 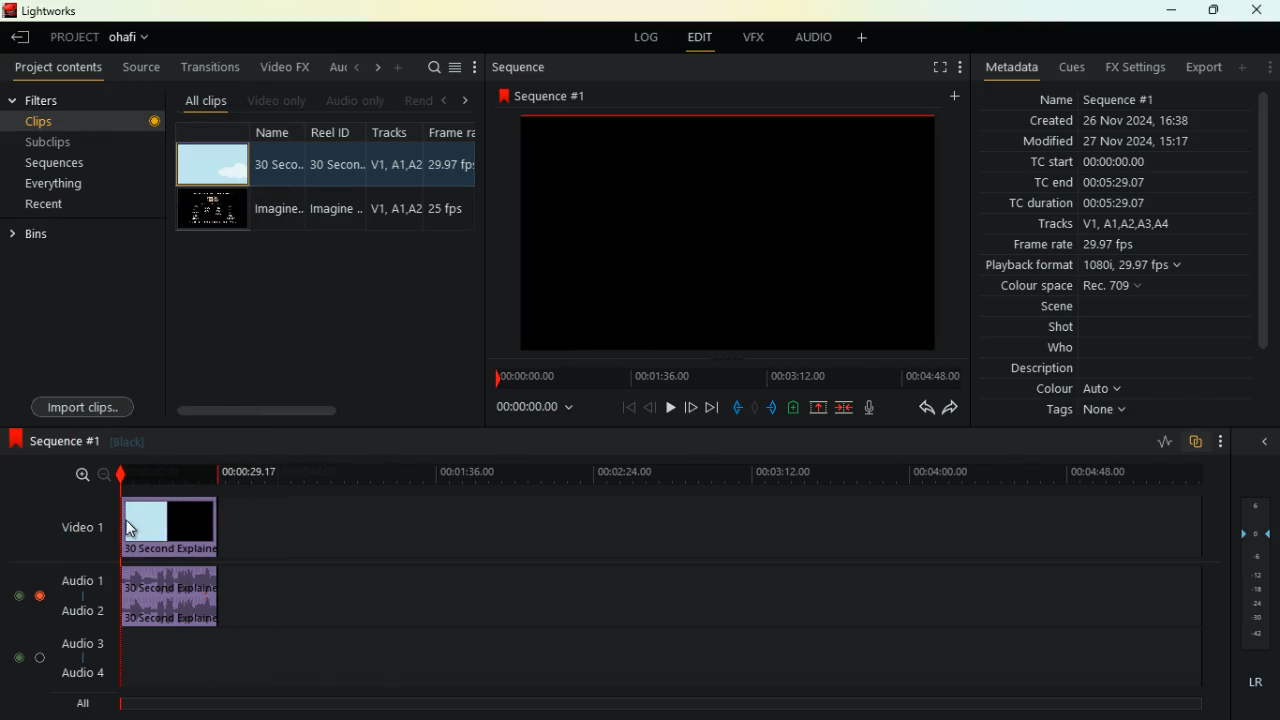 What do you see at coordinates (1111, 120) in the screenshot?
I see `created` at bounding box center [1111, 120].